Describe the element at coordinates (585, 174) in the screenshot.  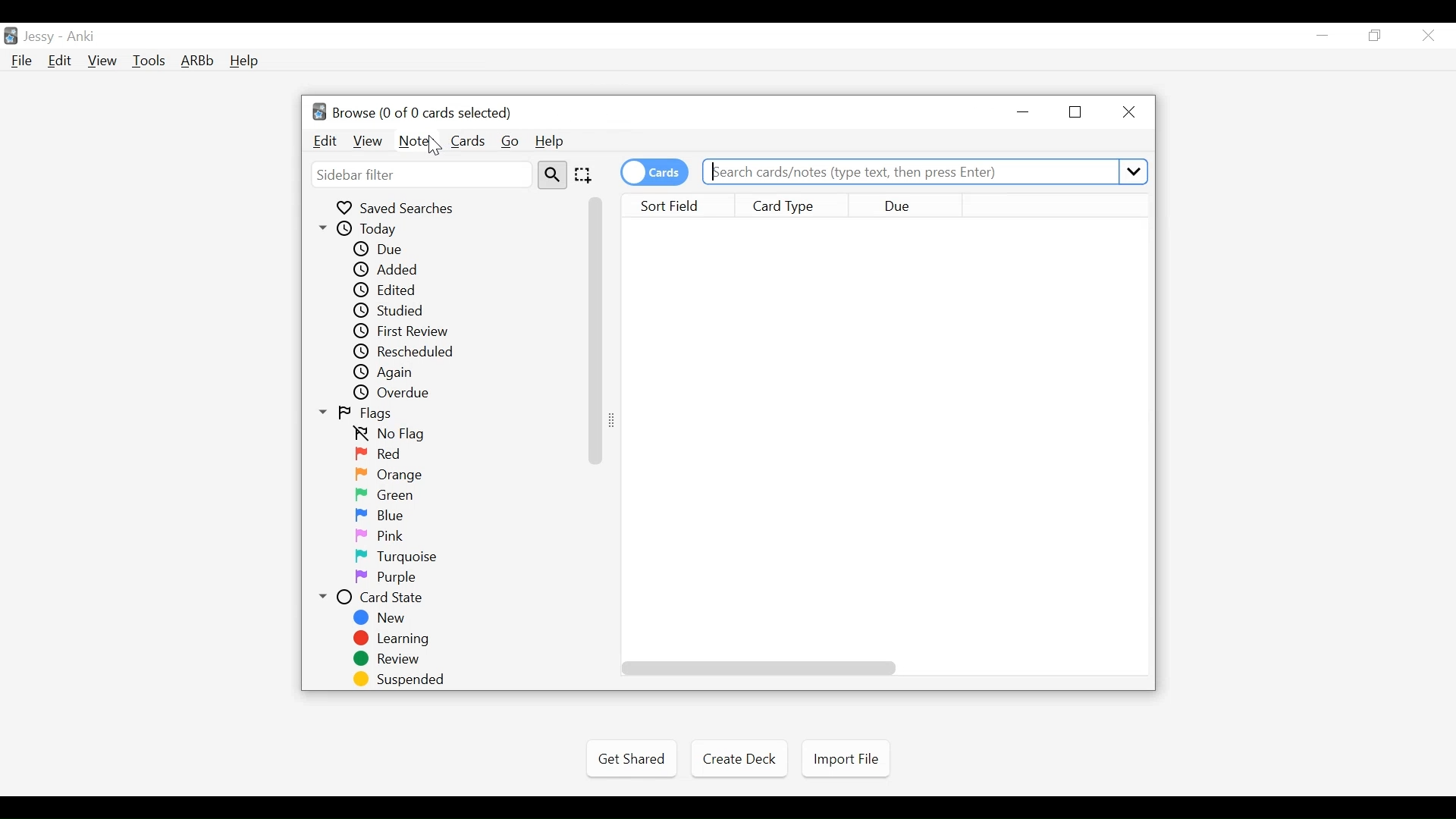
I see `Selection Tool` at that location.